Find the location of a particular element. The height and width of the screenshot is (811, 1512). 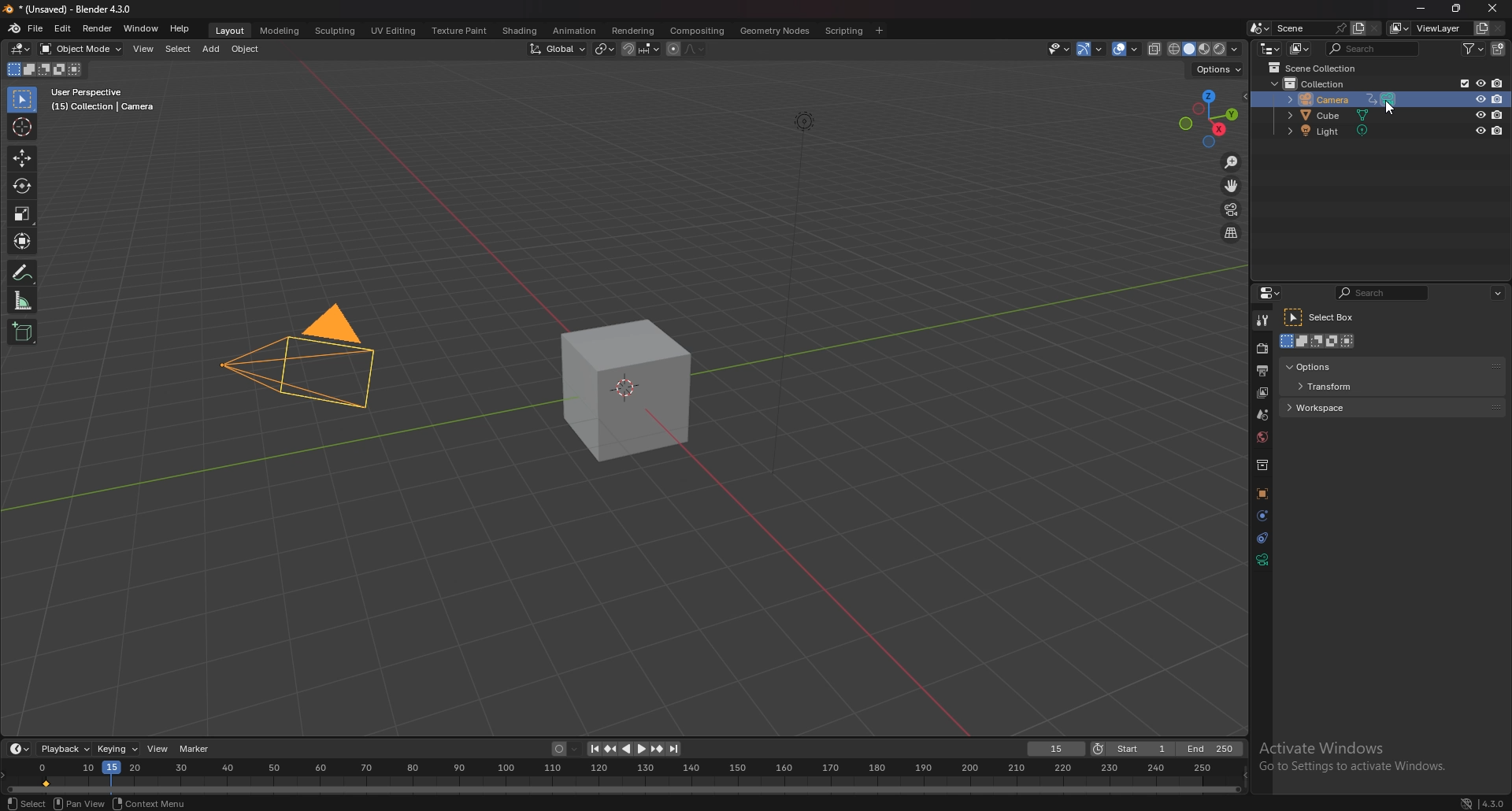

perspective/orthographic is located at coordinates (1232, 233).